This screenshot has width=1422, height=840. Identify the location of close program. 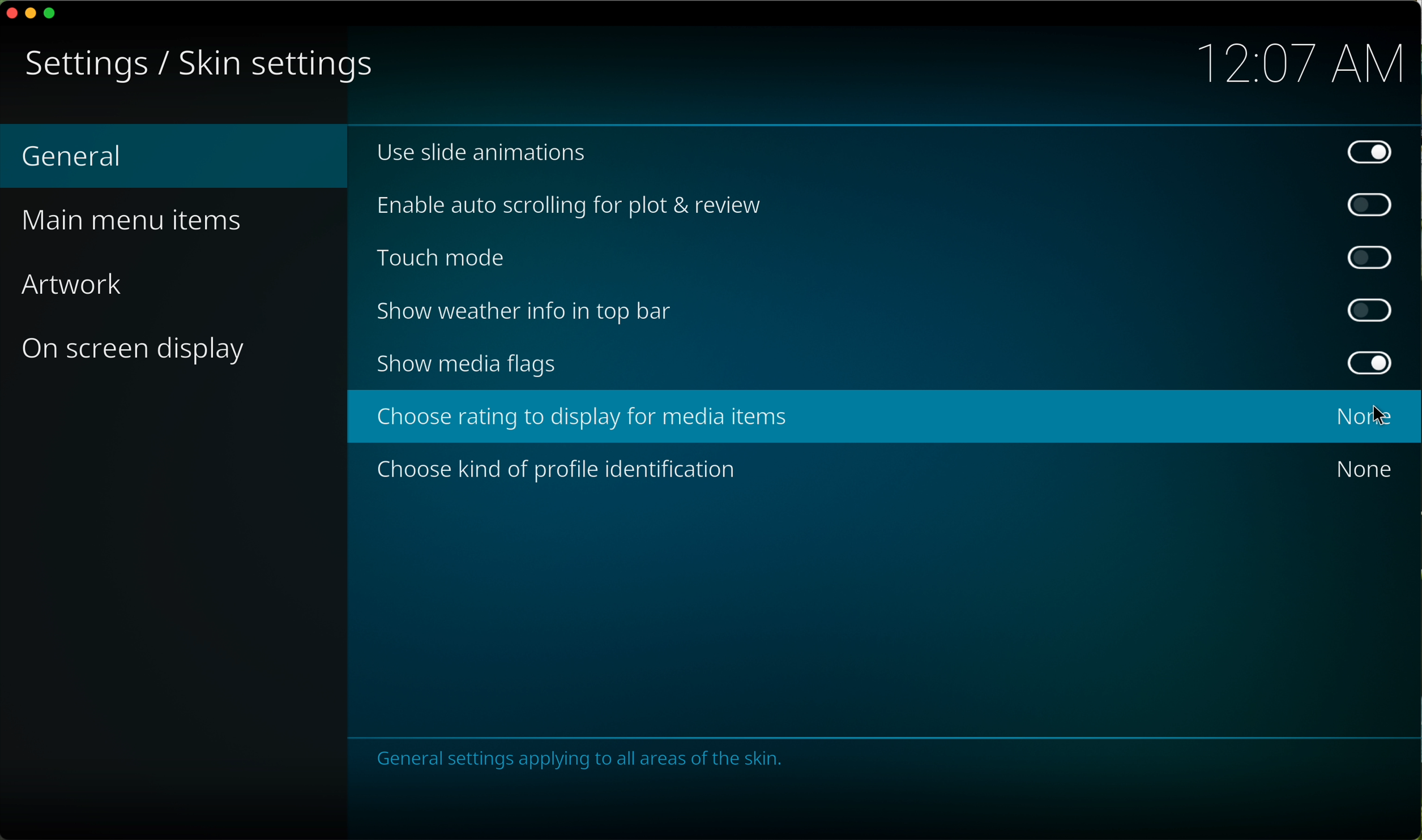
(10, 15).